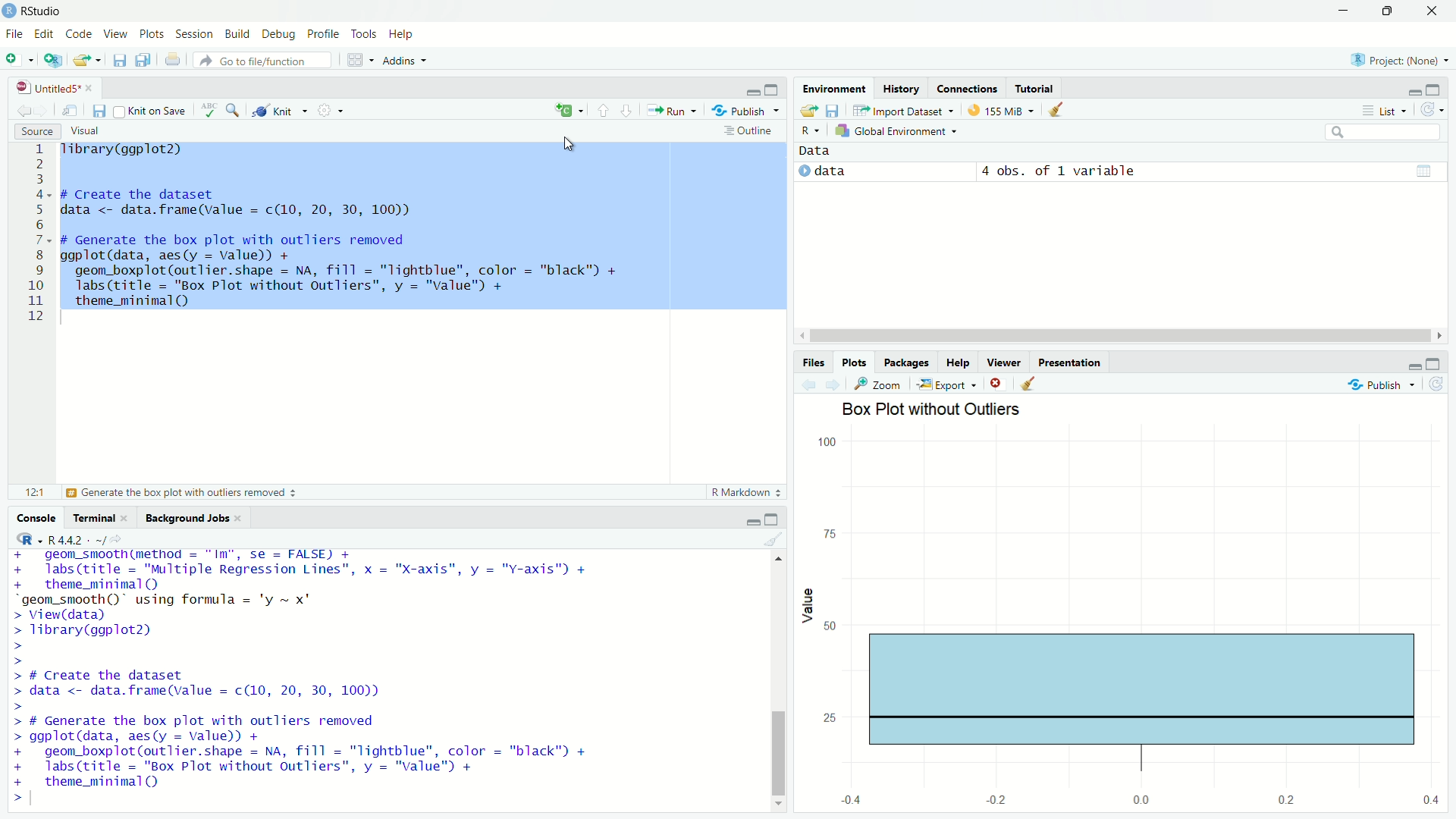 Image resolution: width=1456 pixels, height=819 pixels. Describe the element at coordinates (408, 33) in the screenshot. I see `Help` at that location.